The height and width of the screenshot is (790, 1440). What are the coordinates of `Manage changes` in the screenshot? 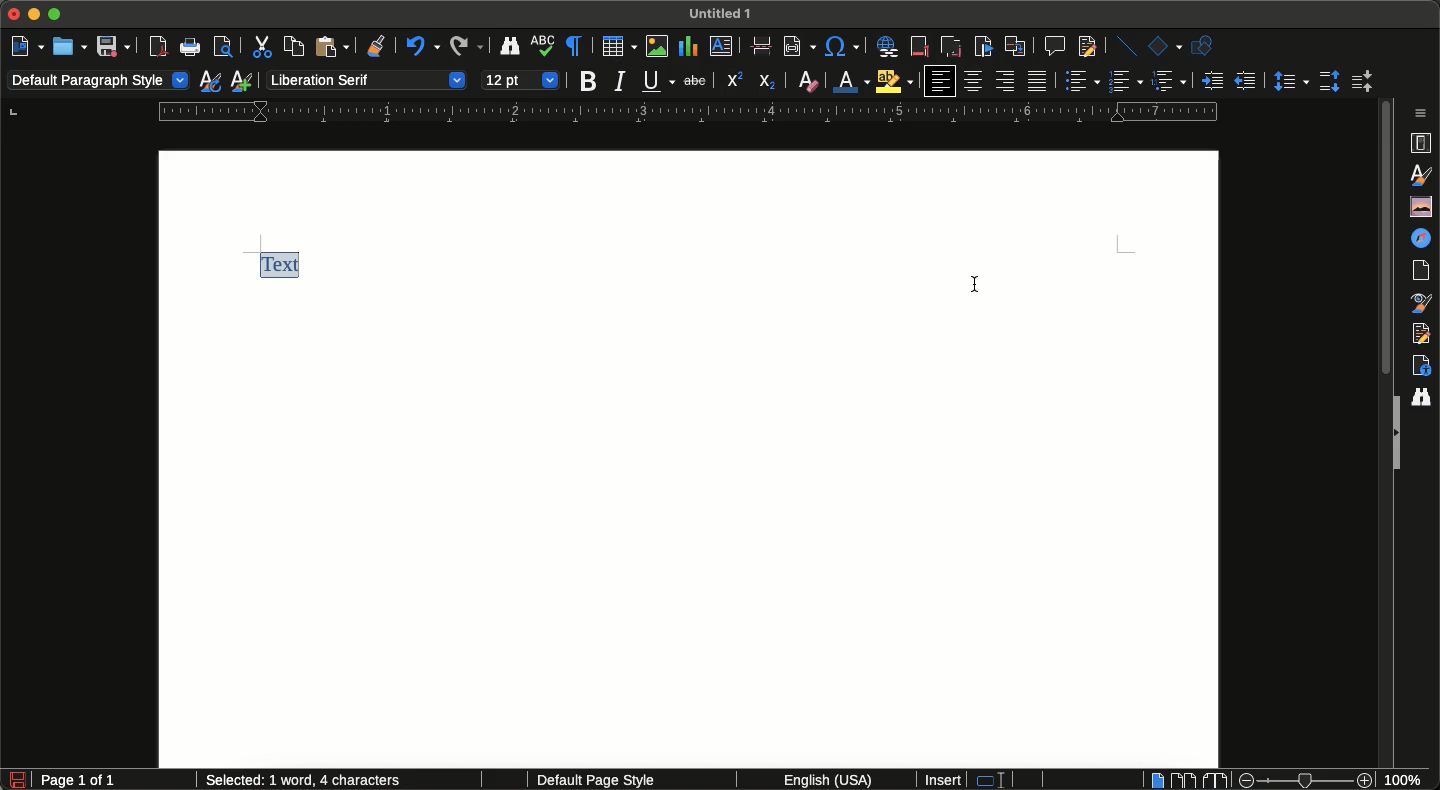 It's located at (1425, 333).